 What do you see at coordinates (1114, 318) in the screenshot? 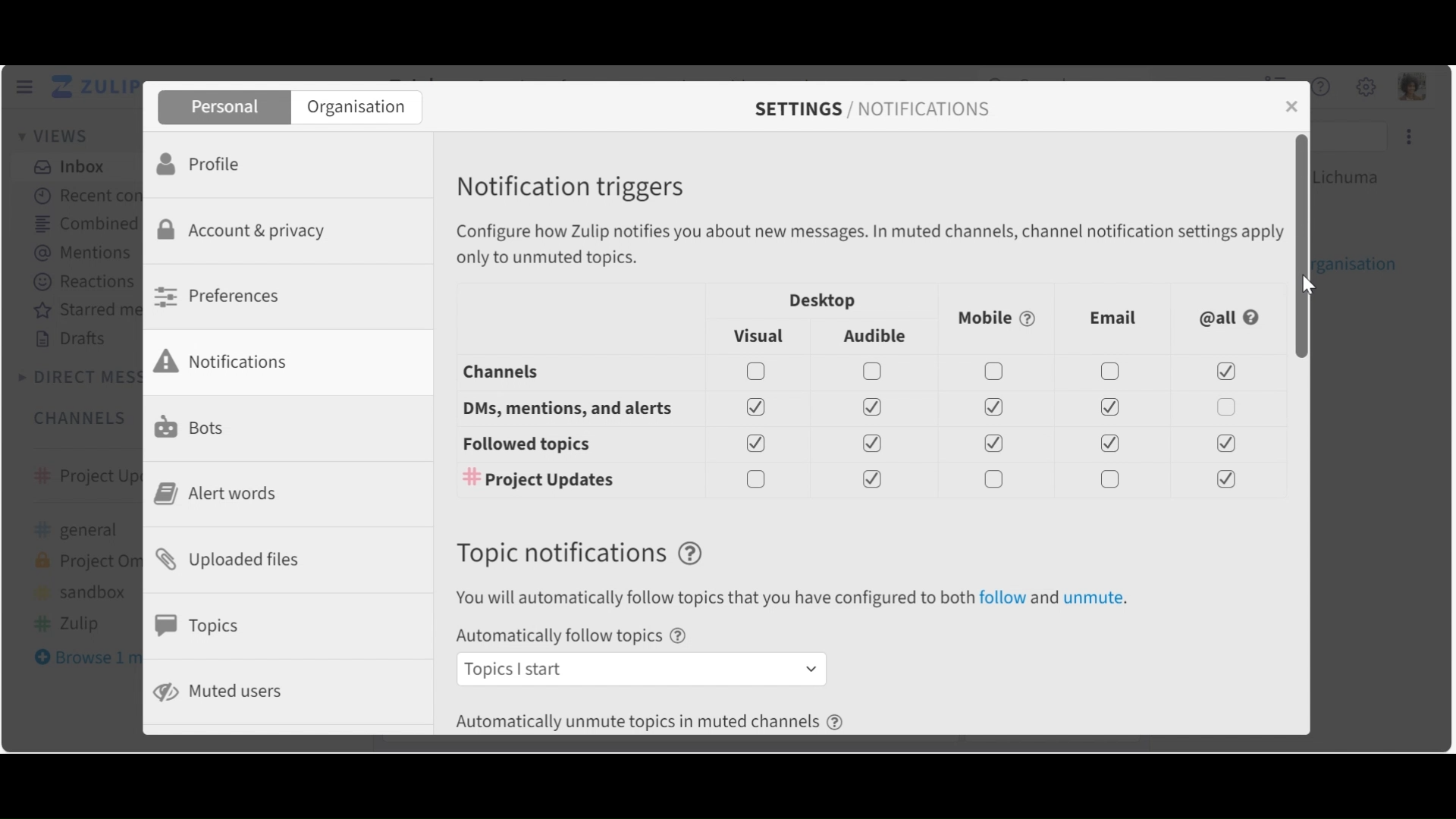
I see `Email` at bounding box center [1114, 318].